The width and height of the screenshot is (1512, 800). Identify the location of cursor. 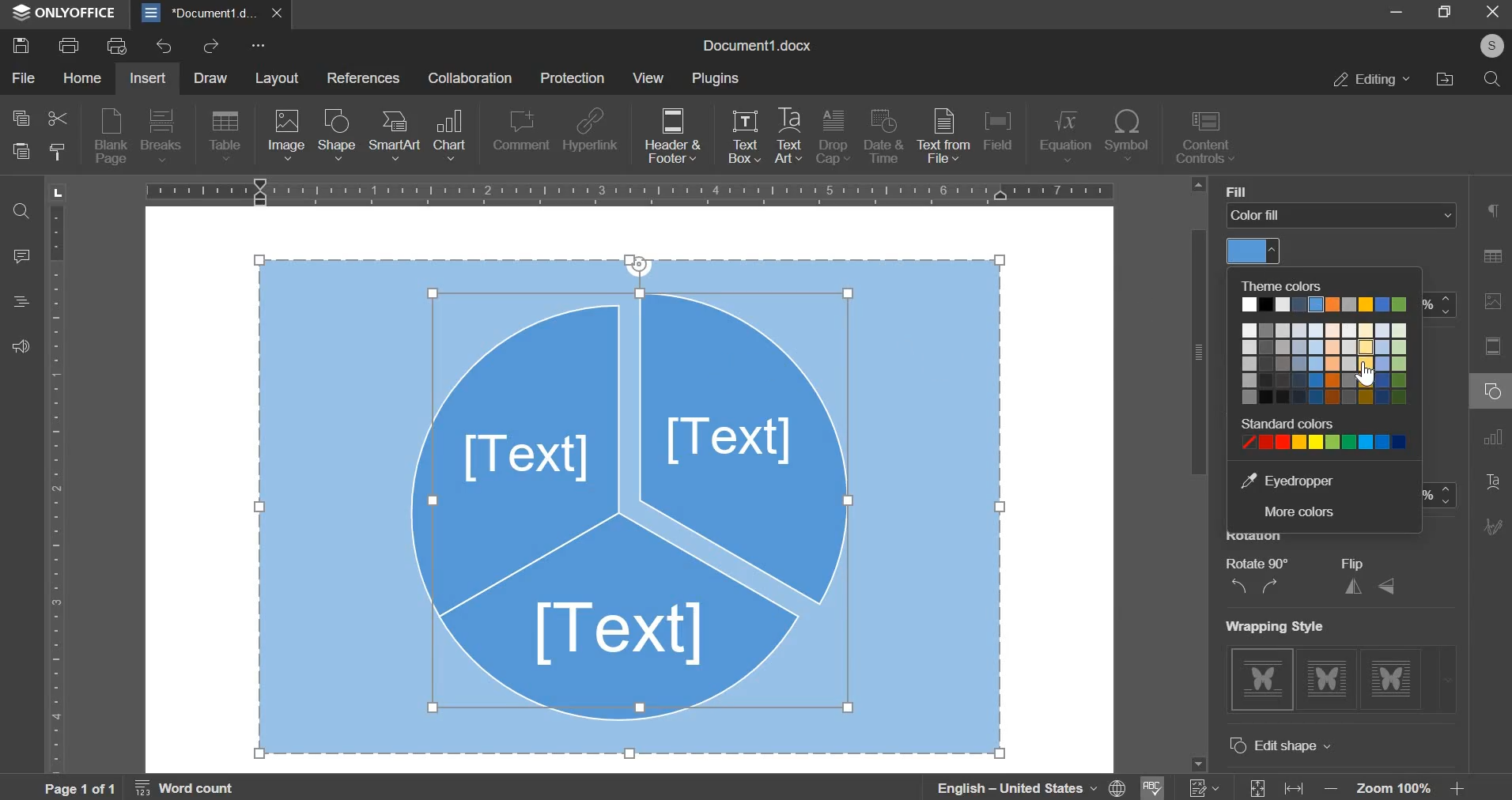
(1366, 378).